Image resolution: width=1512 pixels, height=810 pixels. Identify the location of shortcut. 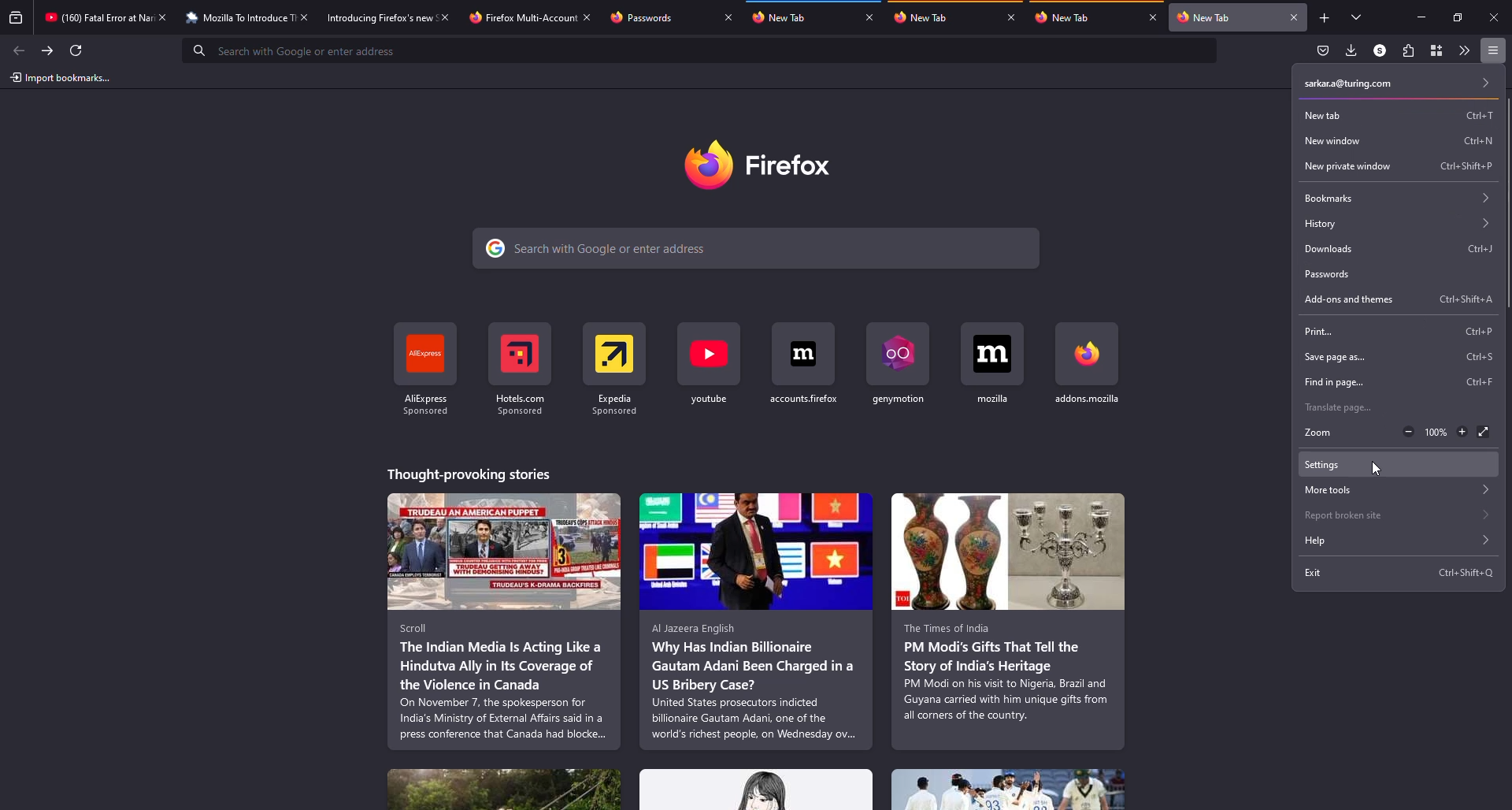
(1085, 364).